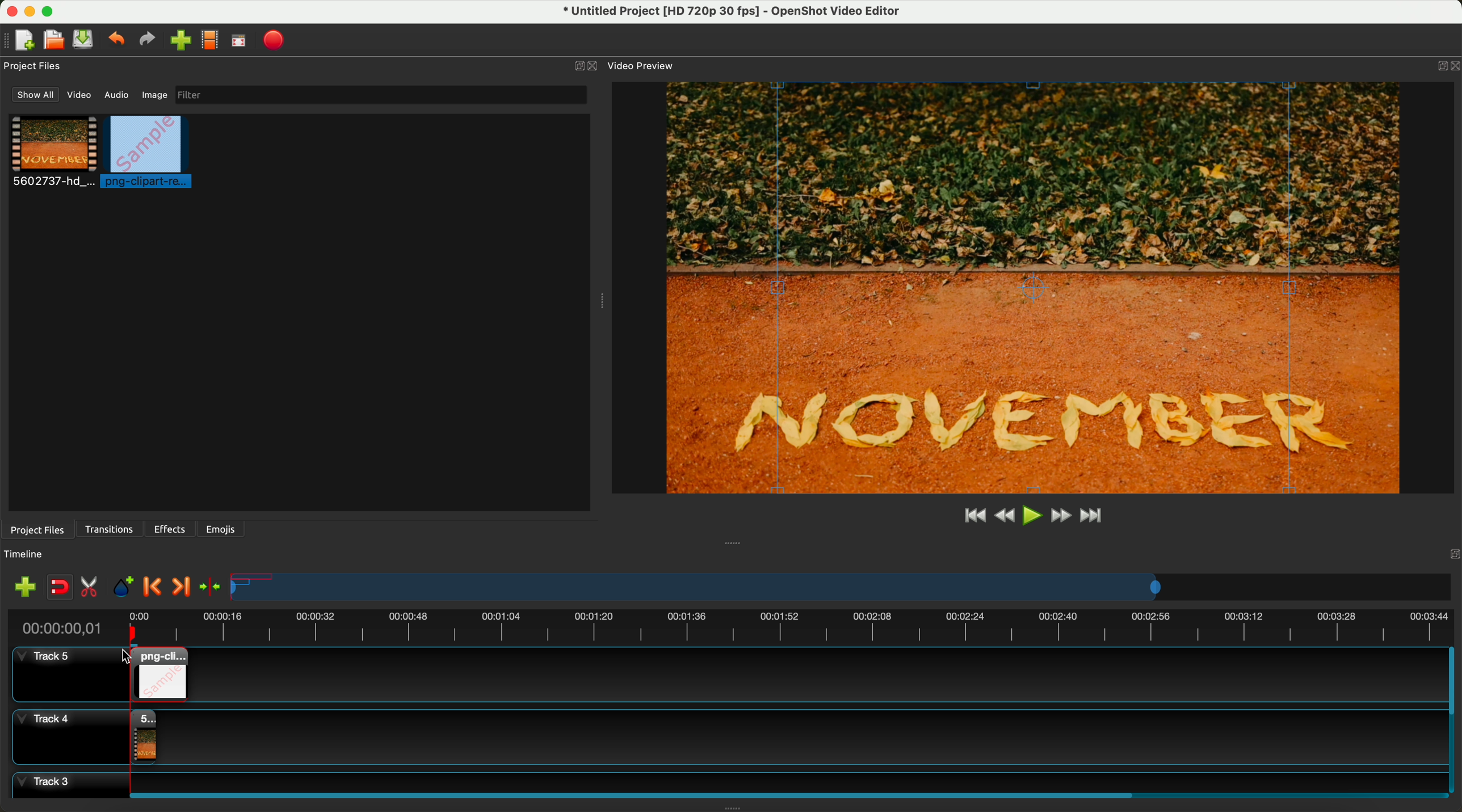 This screenshot has width=1462, height=812. I want to click on file name, so click(725, 13).